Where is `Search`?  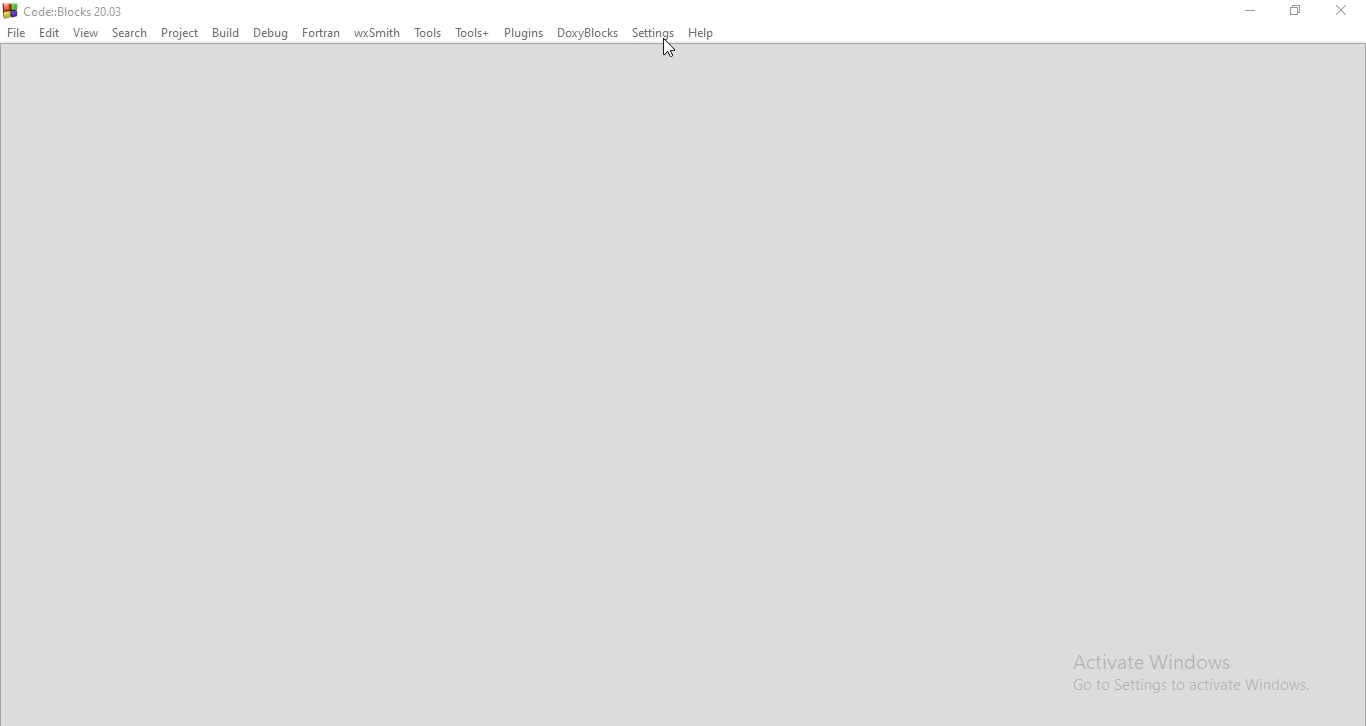
Search is located at coordinates (131, 34).